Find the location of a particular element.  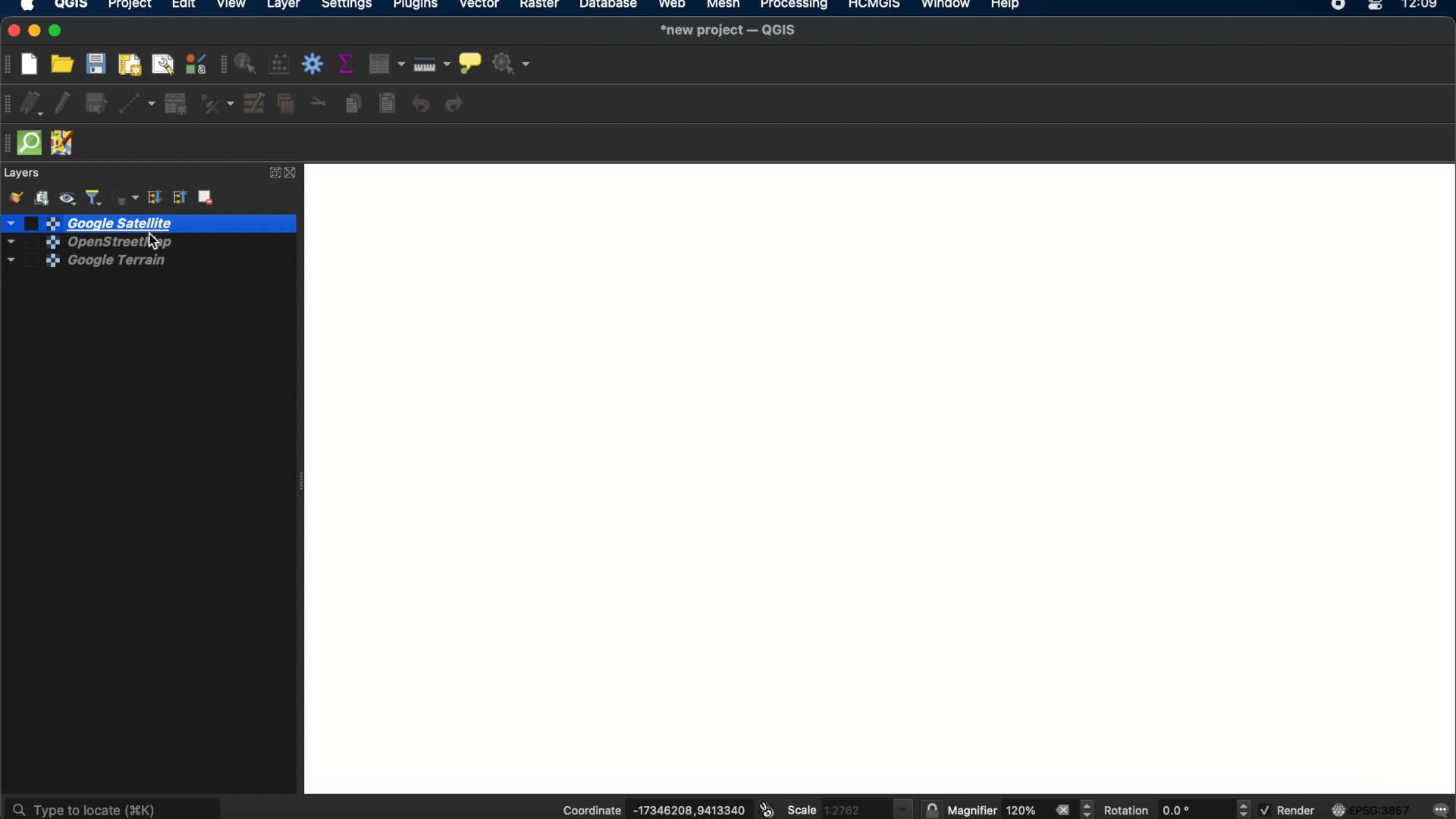

measure line is located at coordinates (433, 64).